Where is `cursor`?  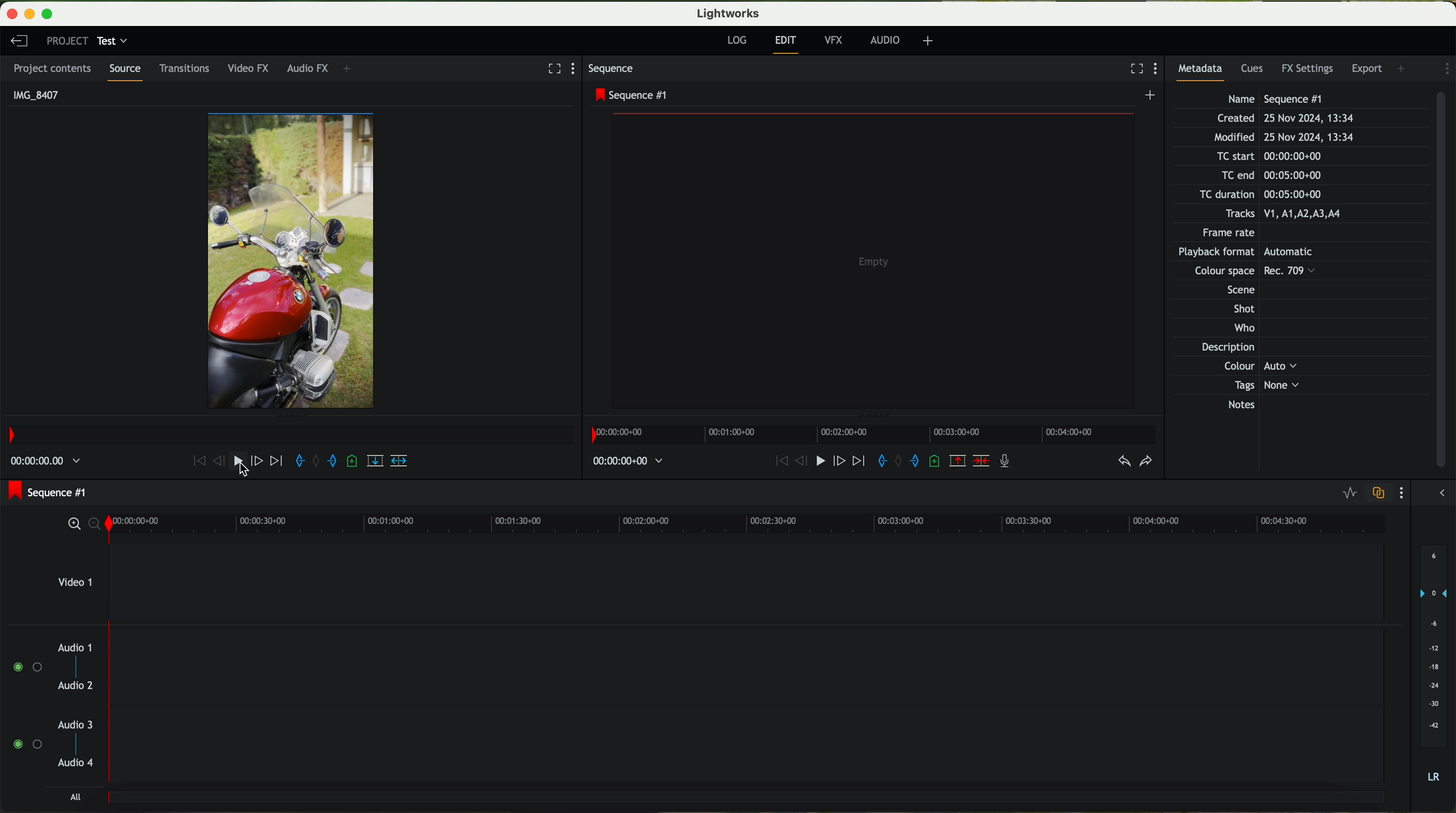
cursor is located at coordinates (478, 949).